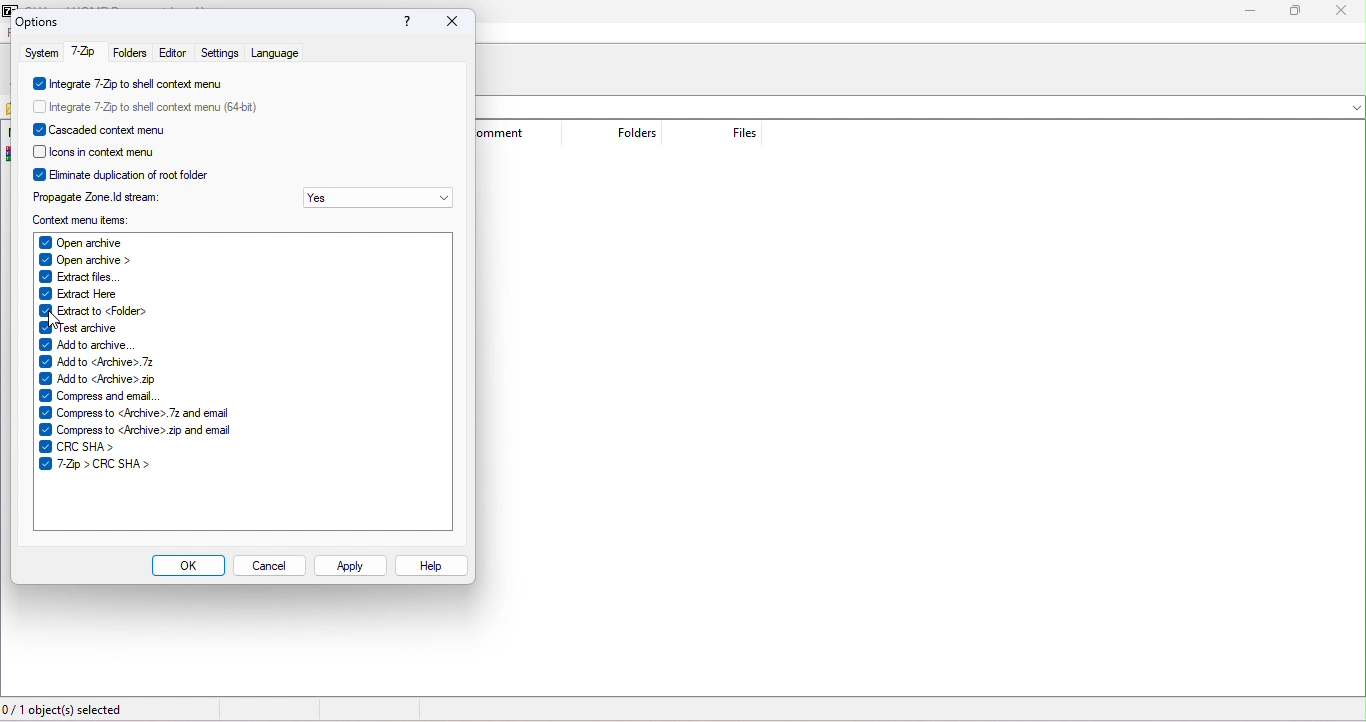 The width and height of the screenshot is (1366, 722). I want to click on files, so click(731, 134).